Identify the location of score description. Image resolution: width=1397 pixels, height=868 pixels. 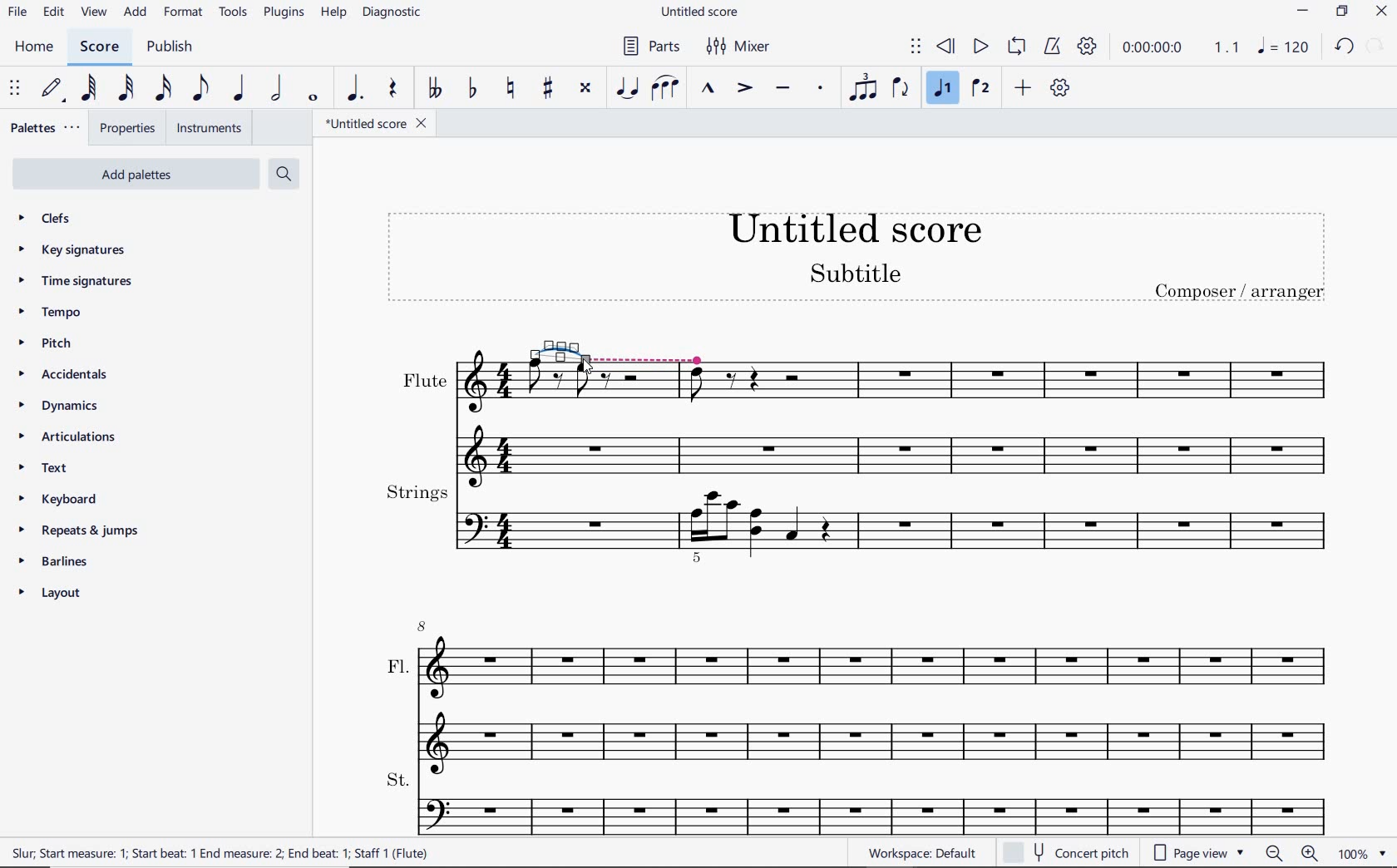
(220, 852).